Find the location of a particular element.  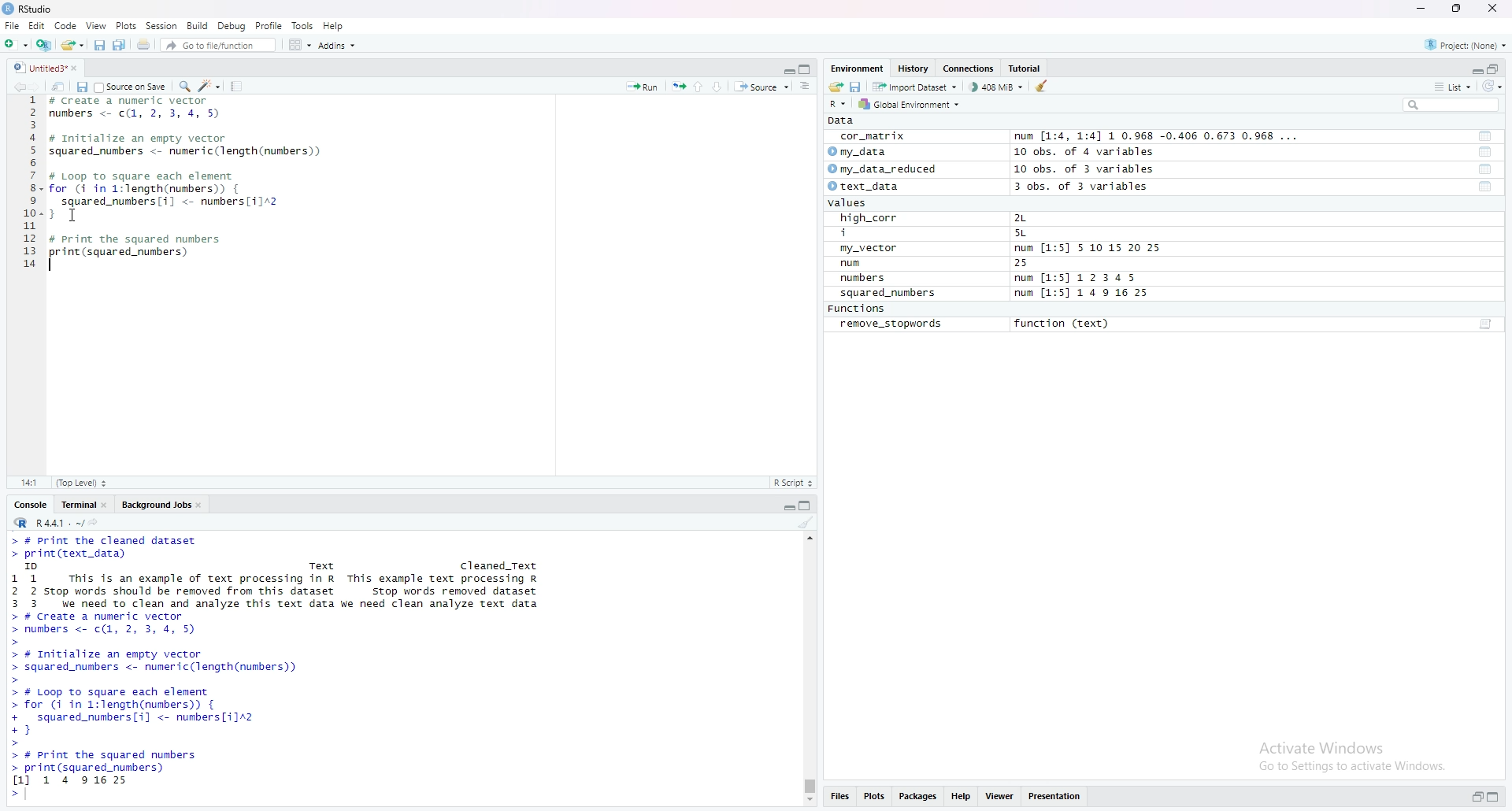

File is located at coordinates (12, 25).